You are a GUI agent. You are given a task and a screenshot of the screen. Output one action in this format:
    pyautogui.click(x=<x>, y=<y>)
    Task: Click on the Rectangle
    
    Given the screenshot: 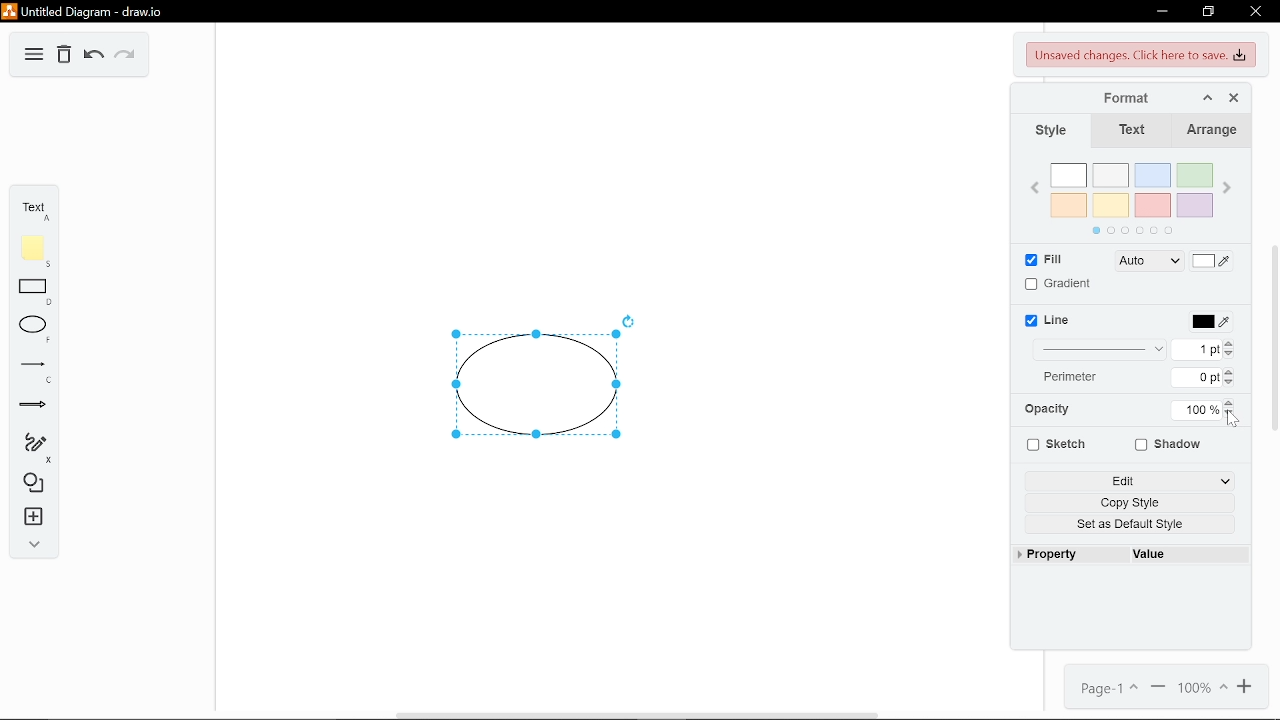 What is the action you would take?
    pyautogui.click(x=34, y=288)
    